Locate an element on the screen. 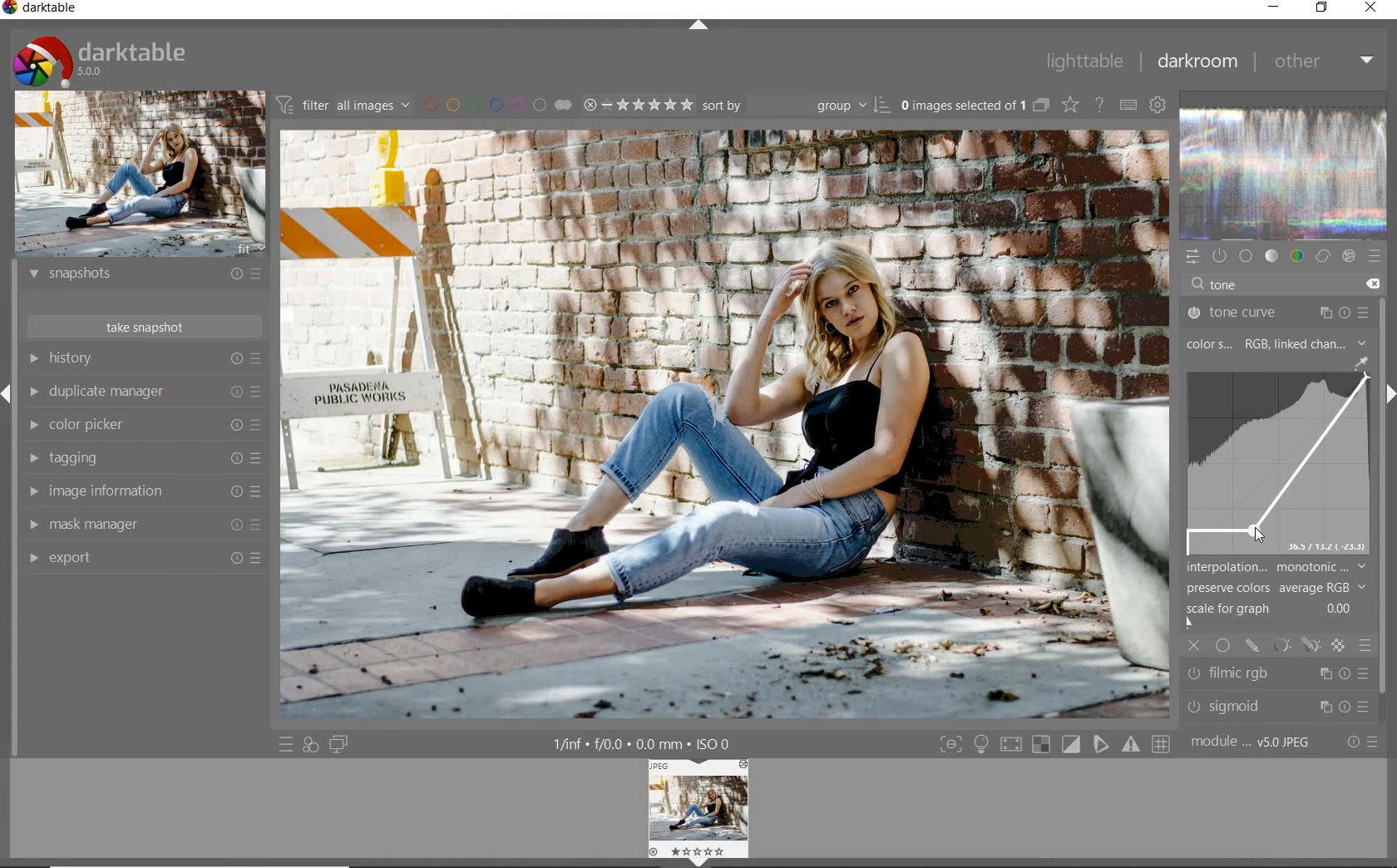 Image resolution: width=1397 pixels, height=868 pixels. lighttable is located at coordinates (1083, 64).